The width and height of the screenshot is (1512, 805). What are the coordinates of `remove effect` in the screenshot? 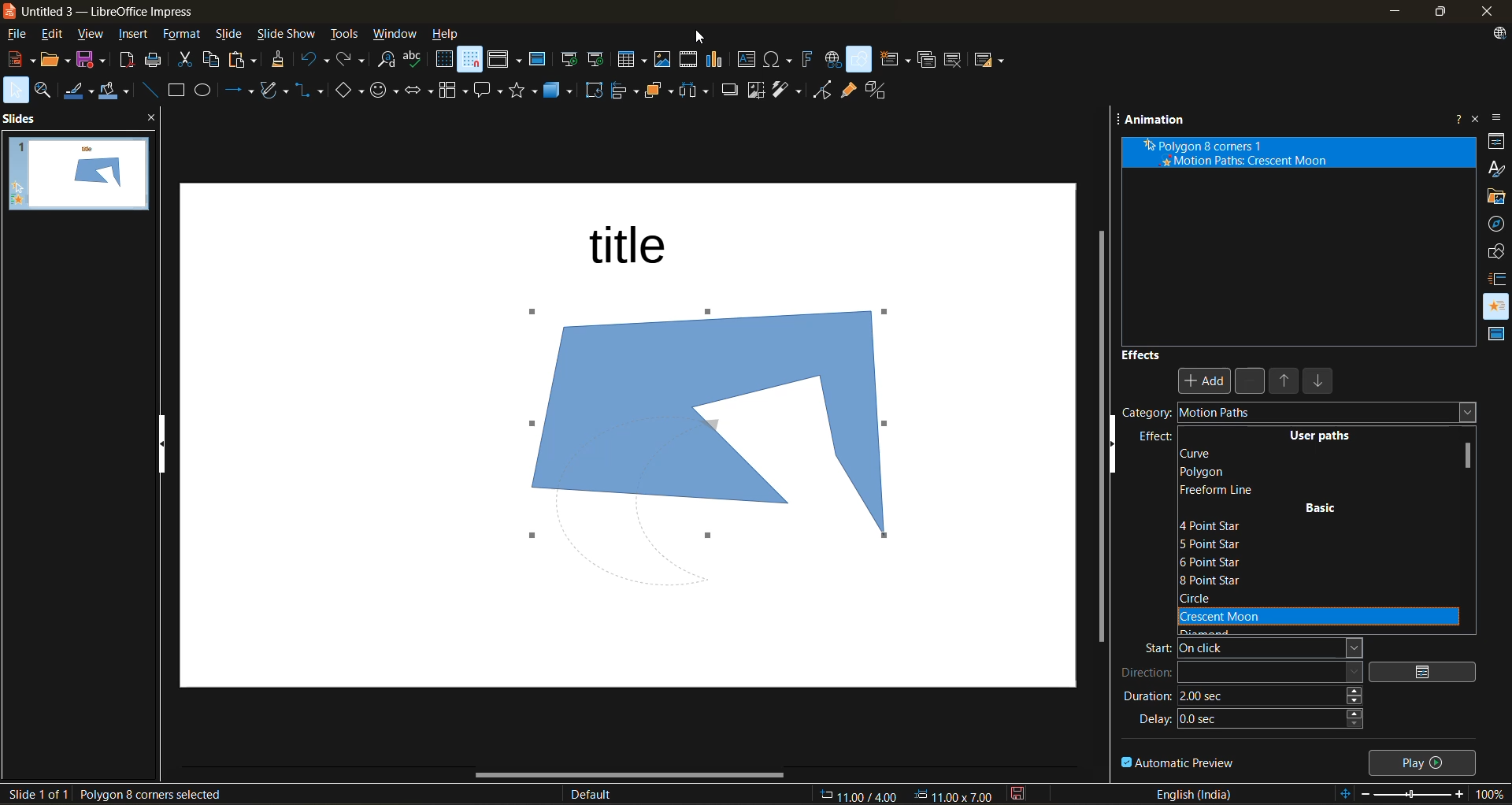 It's located at (1253, 382).